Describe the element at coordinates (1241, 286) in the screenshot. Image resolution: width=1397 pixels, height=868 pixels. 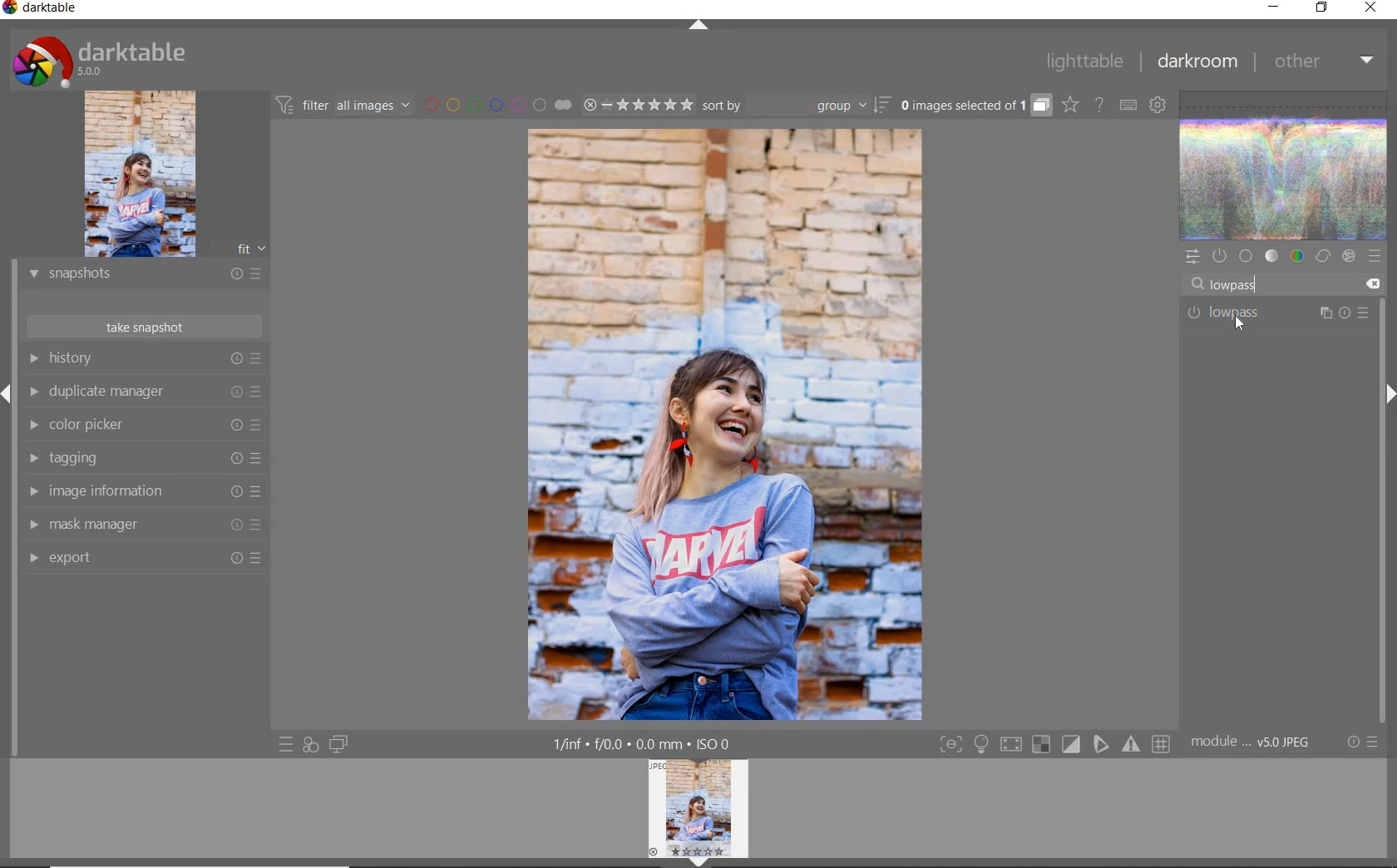
I see `lowpass` at that location.